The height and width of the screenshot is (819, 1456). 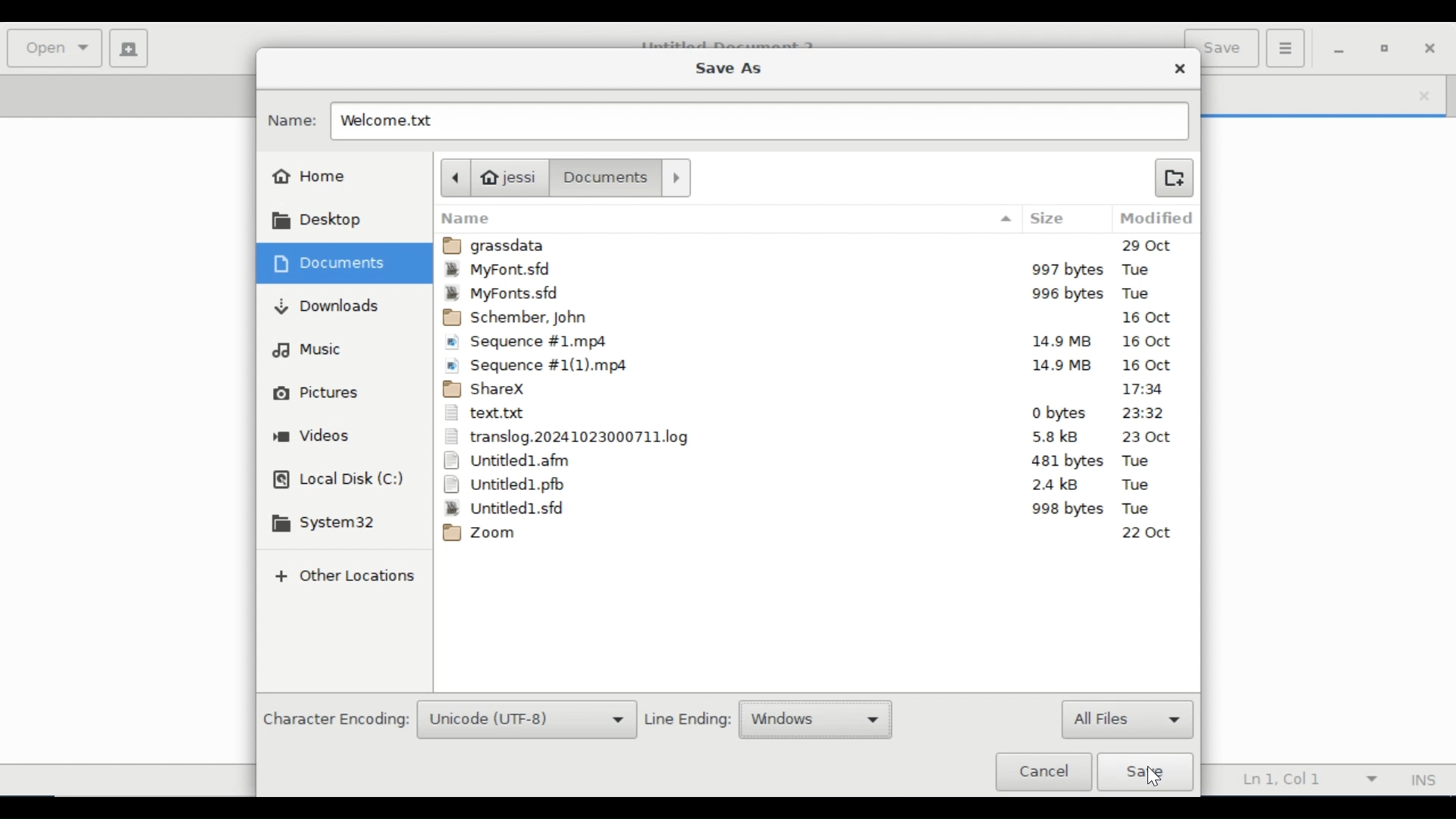 I want to click on Desktop, so click(x=312, y=222).